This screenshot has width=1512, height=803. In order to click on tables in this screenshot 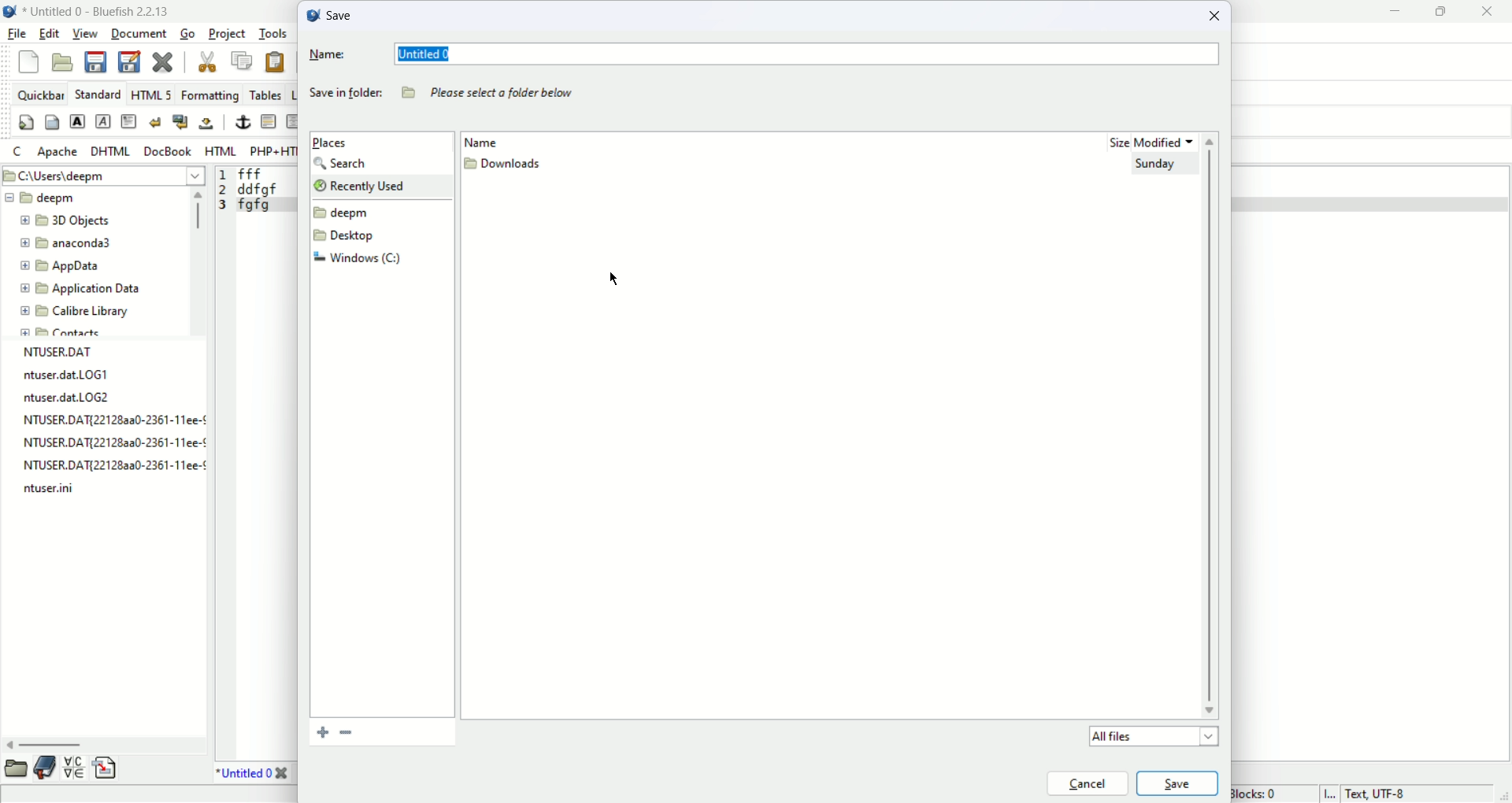, I will do `click(263, 94)`.